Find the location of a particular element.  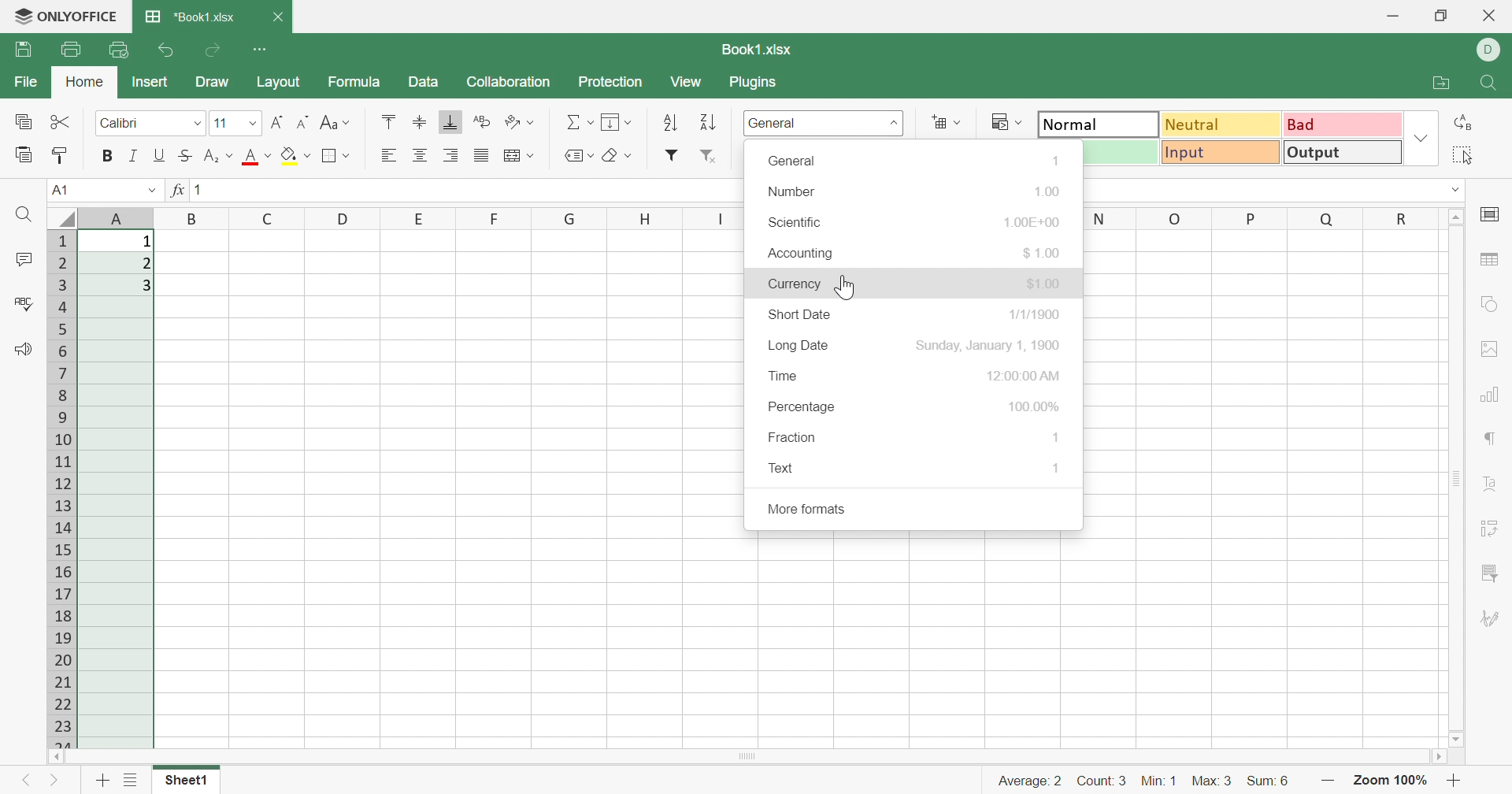

Row numbers is located at coordinates (64, 488).